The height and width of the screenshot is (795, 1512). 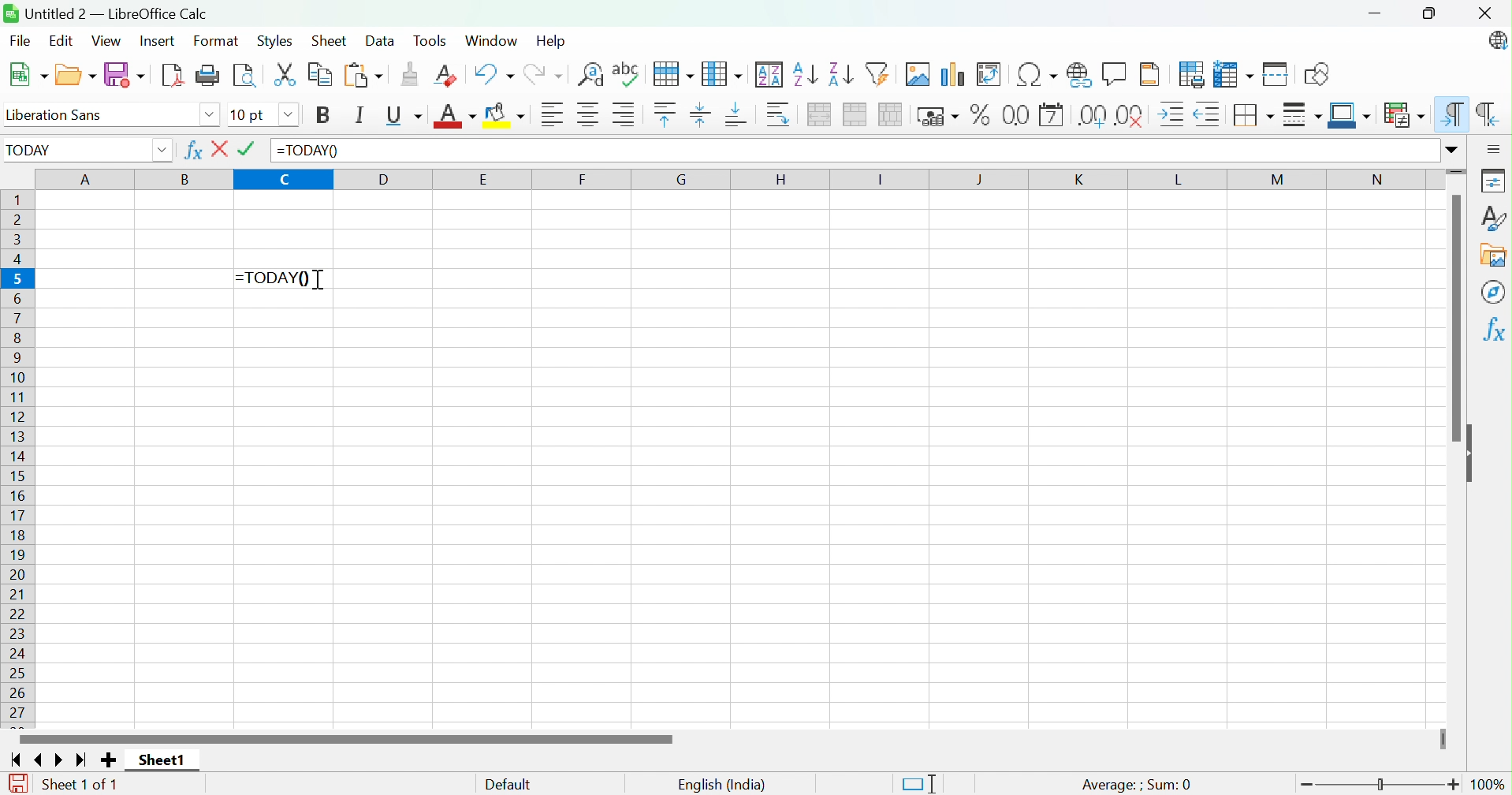 What do you see at coordinates (590, 115) in the screenshot?
I see `Align center` at bounding box center [590, 115].